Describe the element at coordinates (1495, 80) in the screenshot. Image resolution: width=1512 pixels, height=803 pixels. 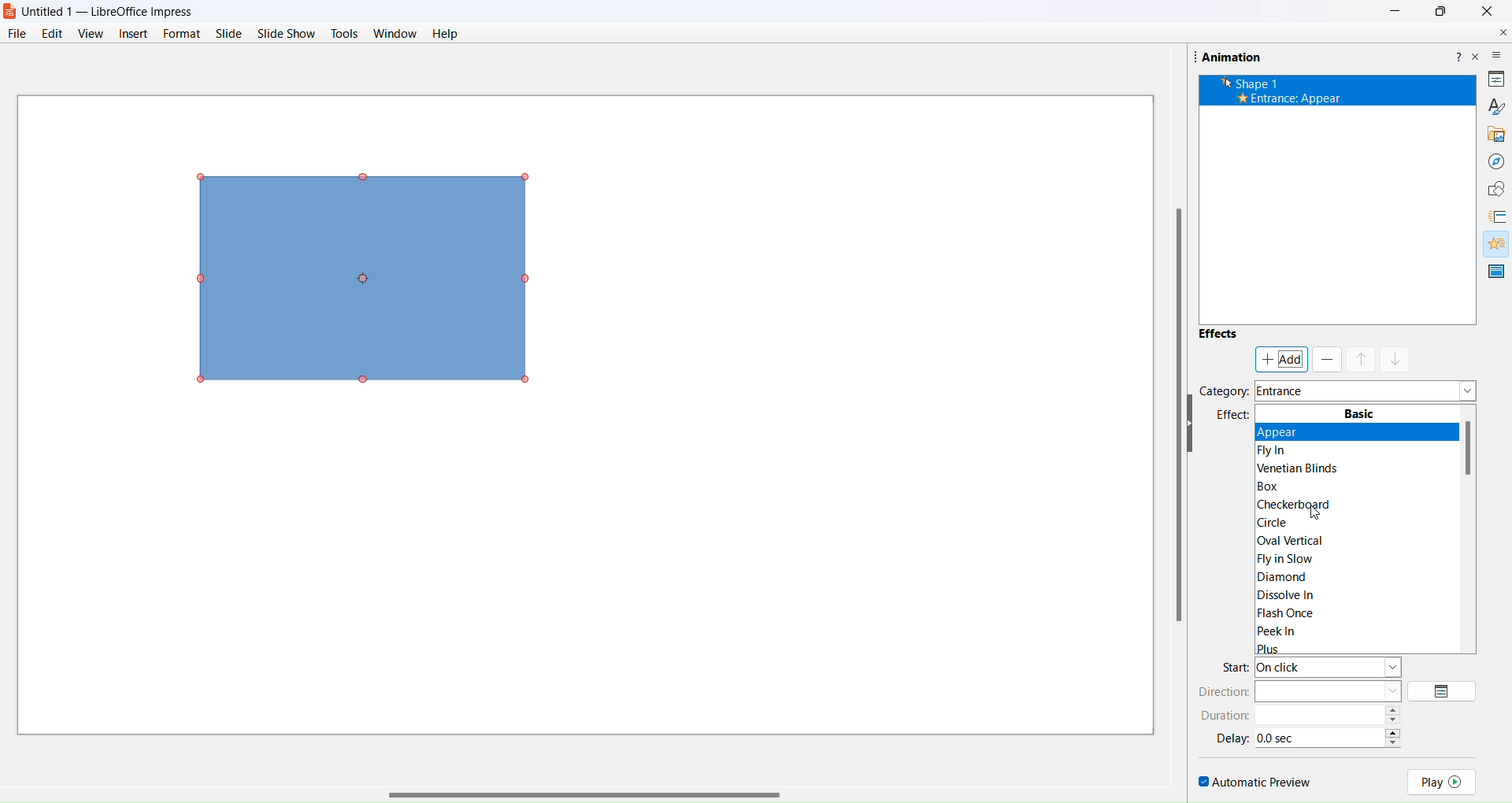
I see `properties` at that location.